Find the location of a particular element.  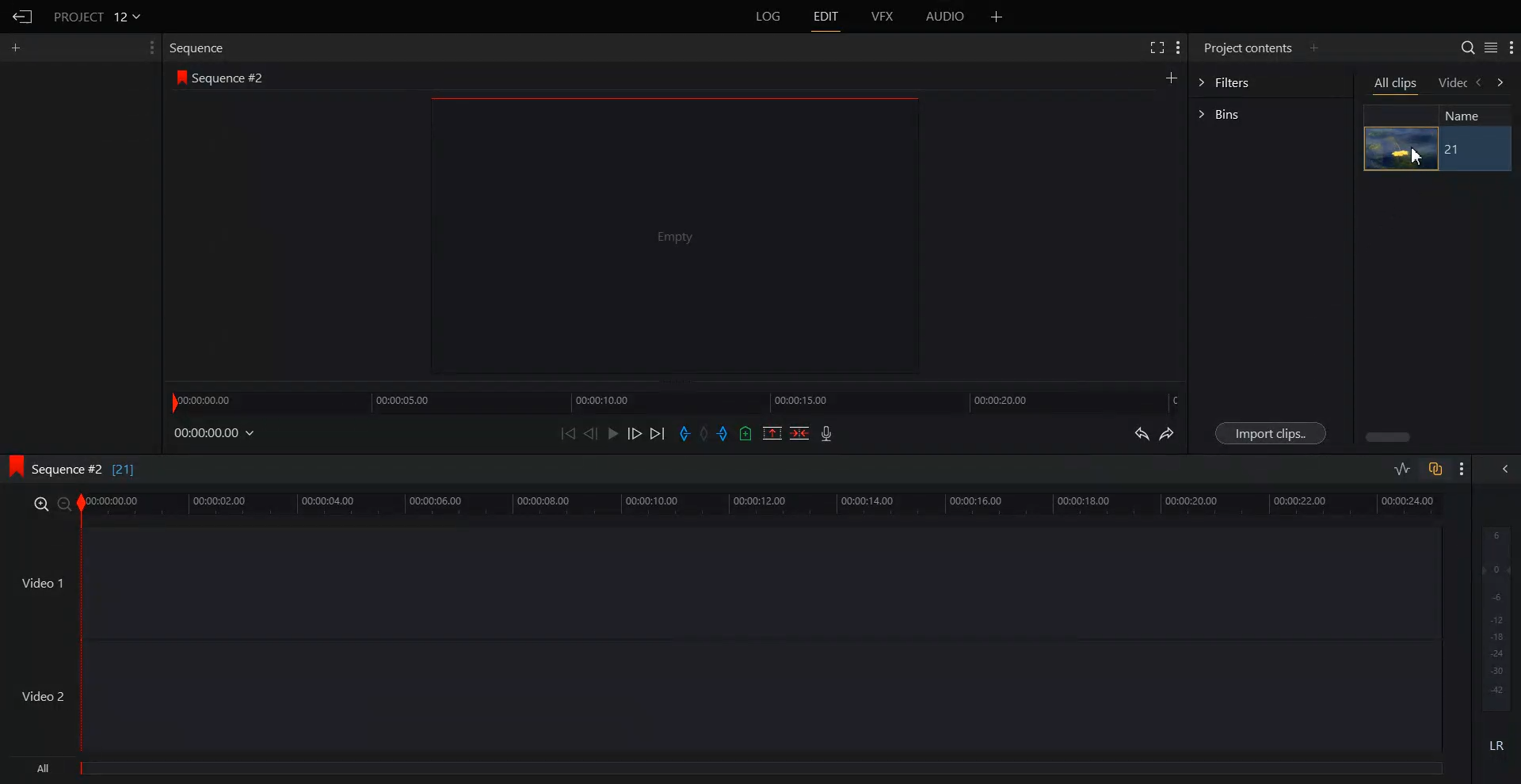

Undo is located at coordinates (1142, 433).